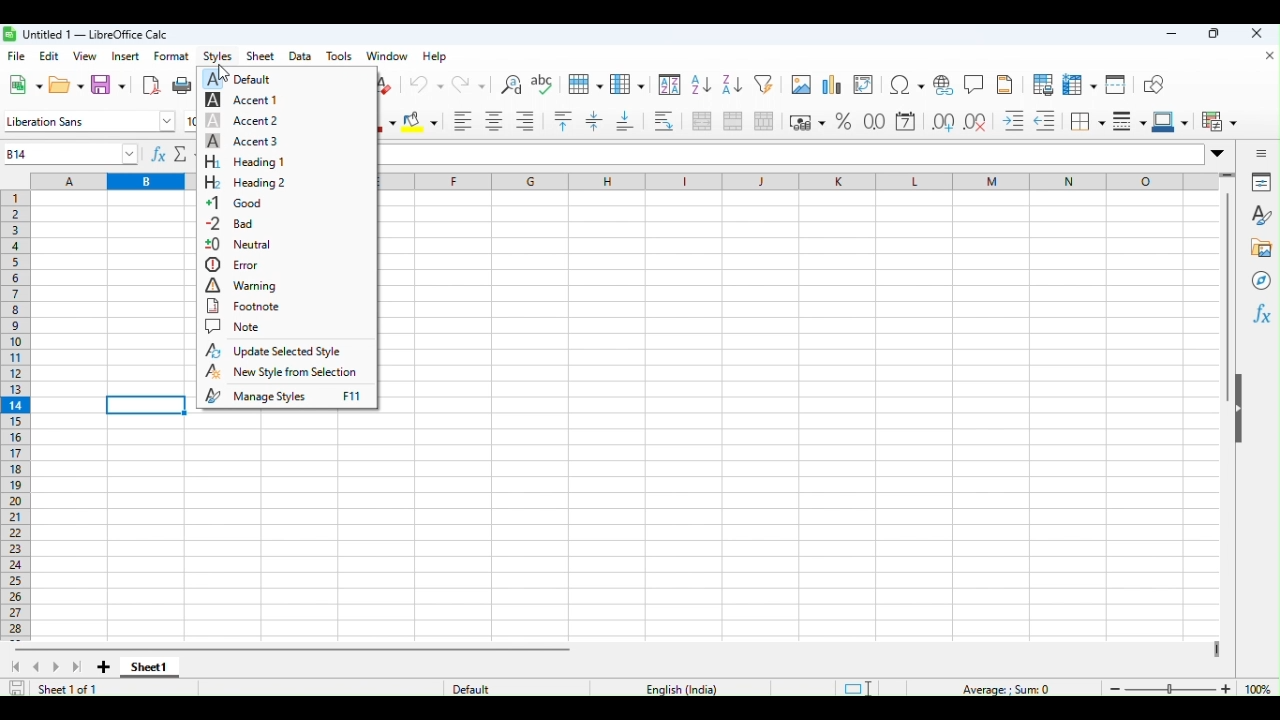 Image resolution: width=1280 pixels, height=720 pixels. I want to click on b, so click(145, 181).